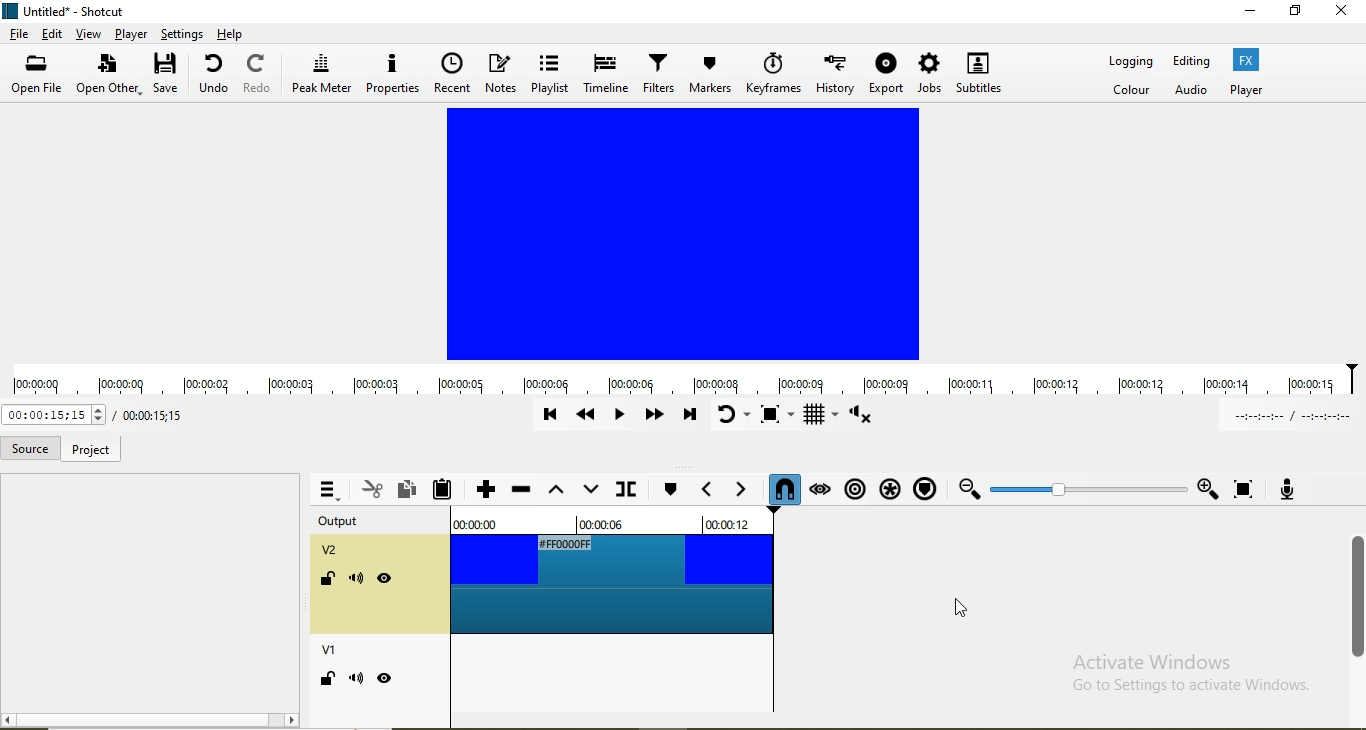 The width and height of the screenshot is (1366, 730). Describe the element at coordinates (385, 579) in the screenshot. I see `visibility` at that location.